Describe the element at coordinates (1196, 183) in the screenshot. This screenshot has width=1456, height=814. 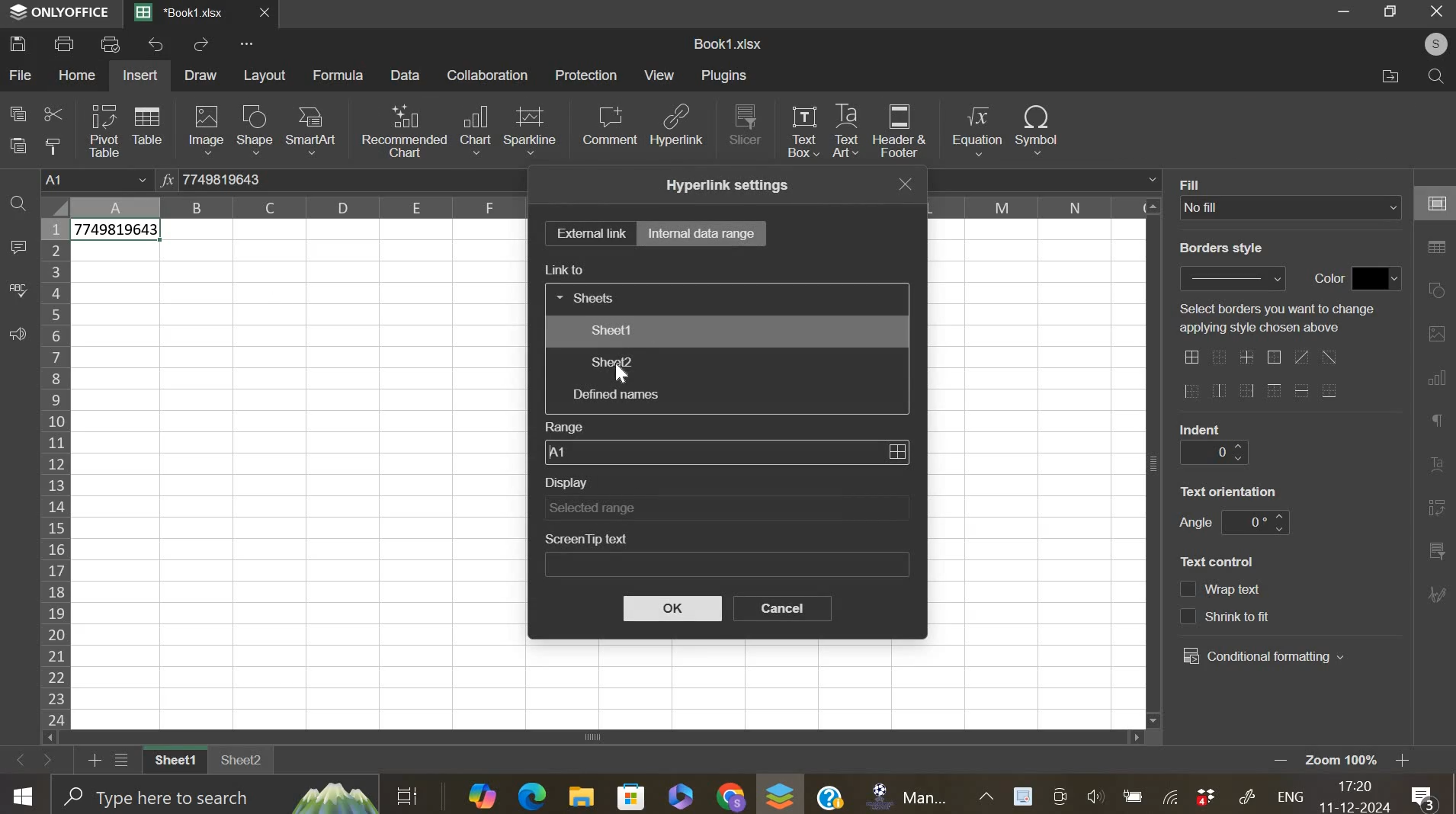
I see `text` at that location.